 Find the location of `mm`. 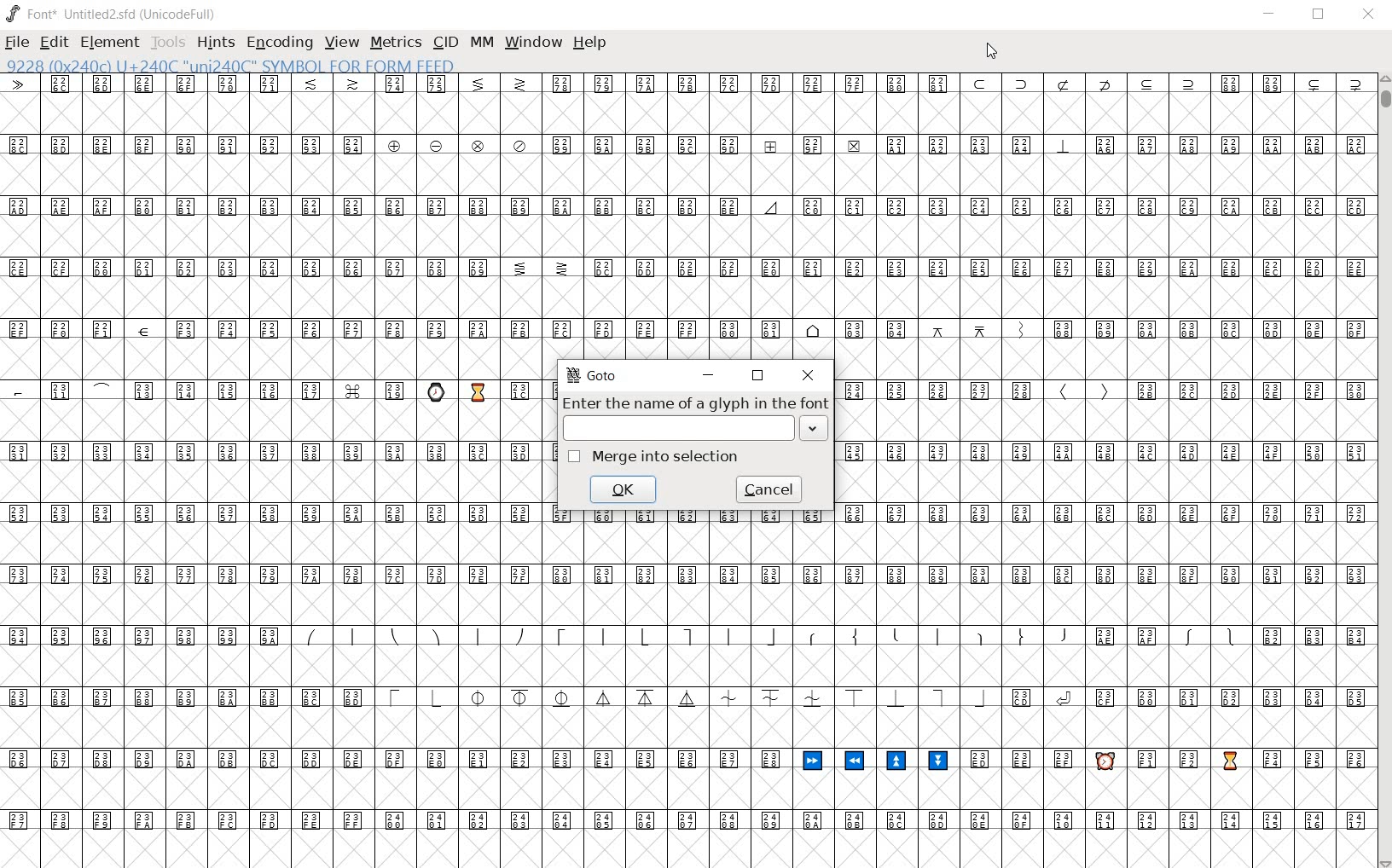

mm is located at coordinates (482, 42).